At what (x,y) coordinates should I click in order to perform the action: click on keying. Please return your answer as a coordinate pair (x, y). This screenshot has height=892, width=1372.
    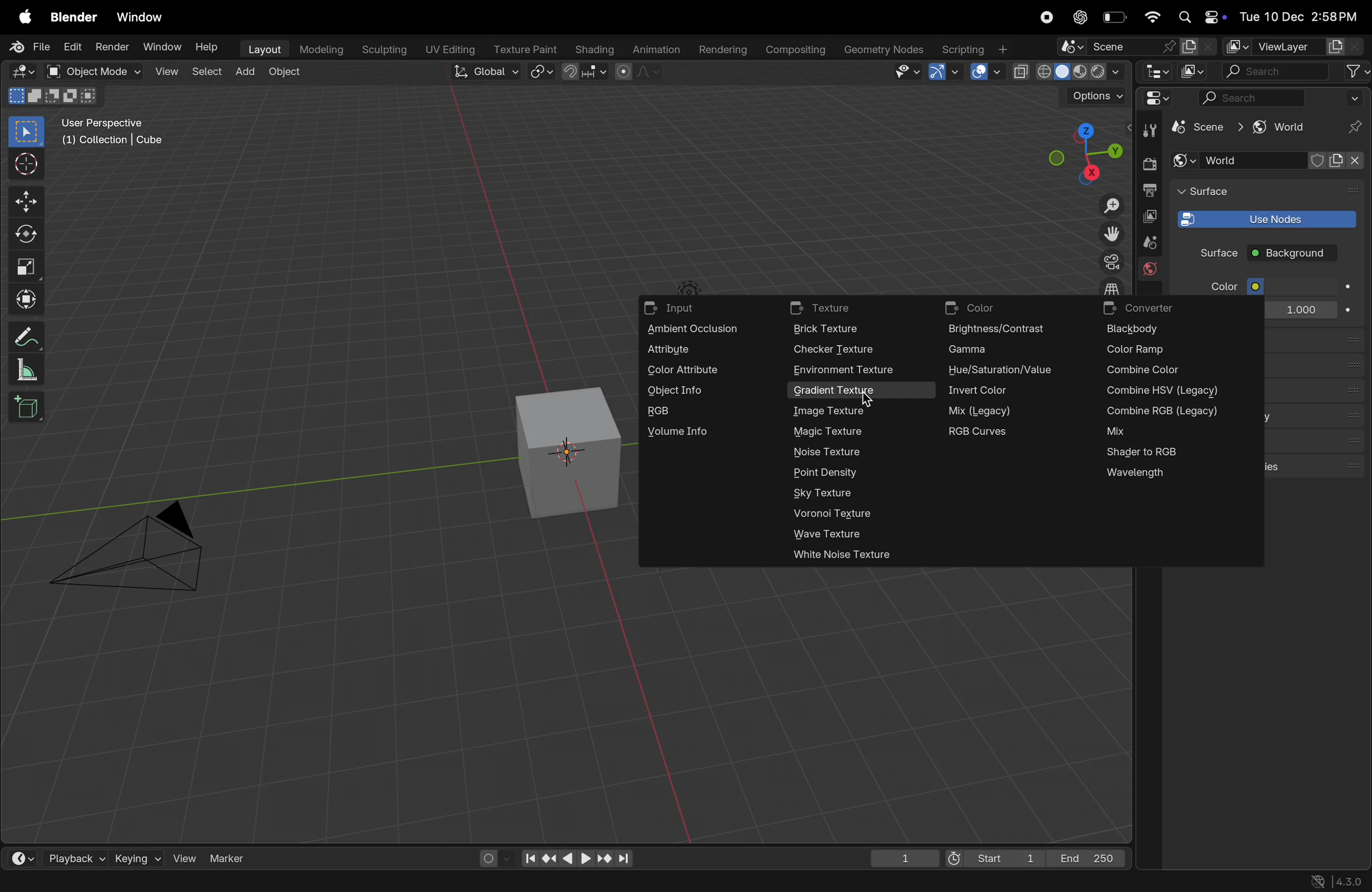
    Looking at the image, I should click on (136, 856).